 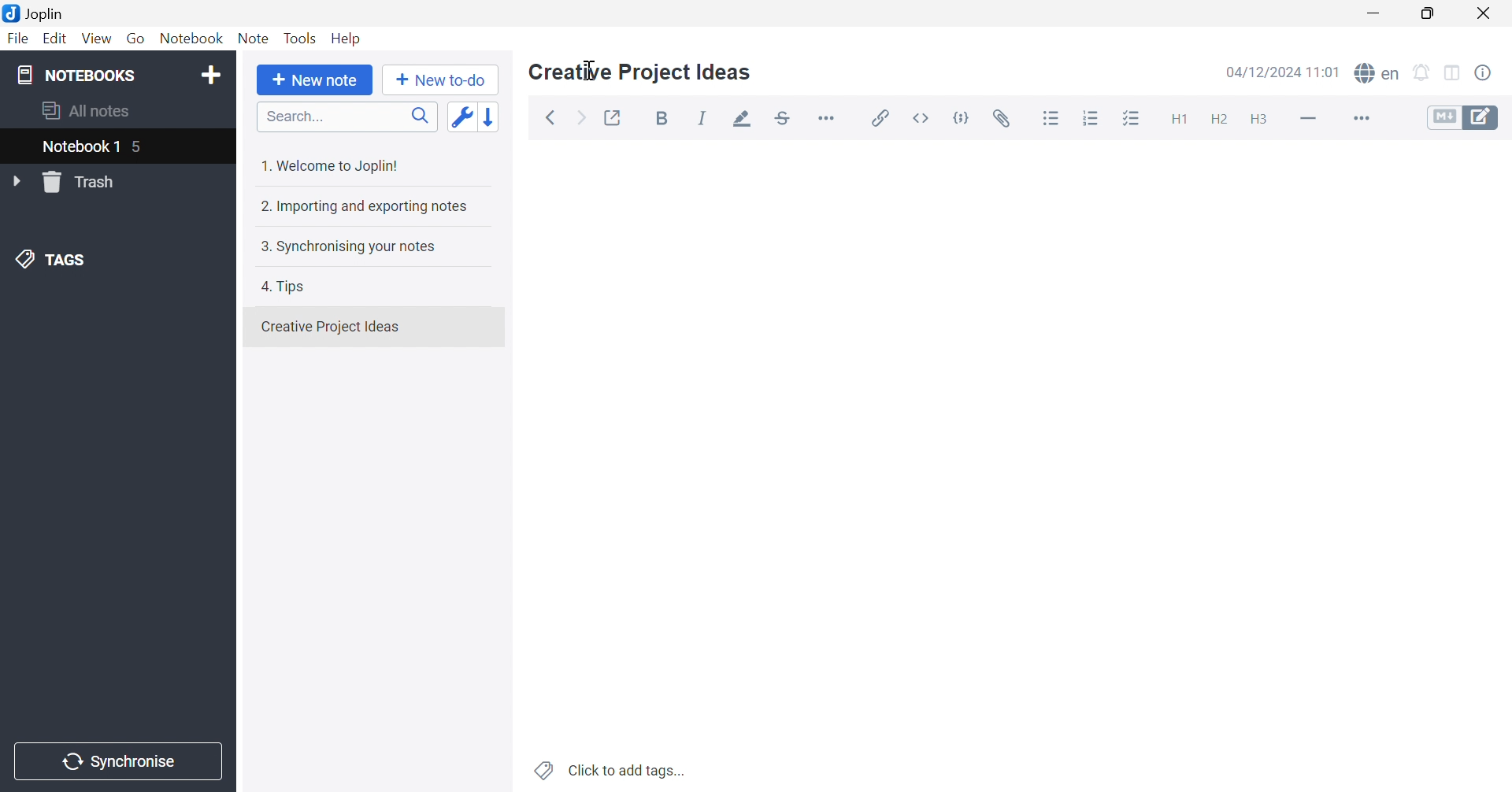 What do you see at coordinates (289, 285) in the screenshot?
I see `4. Tips` at bounding box center [289, 285].